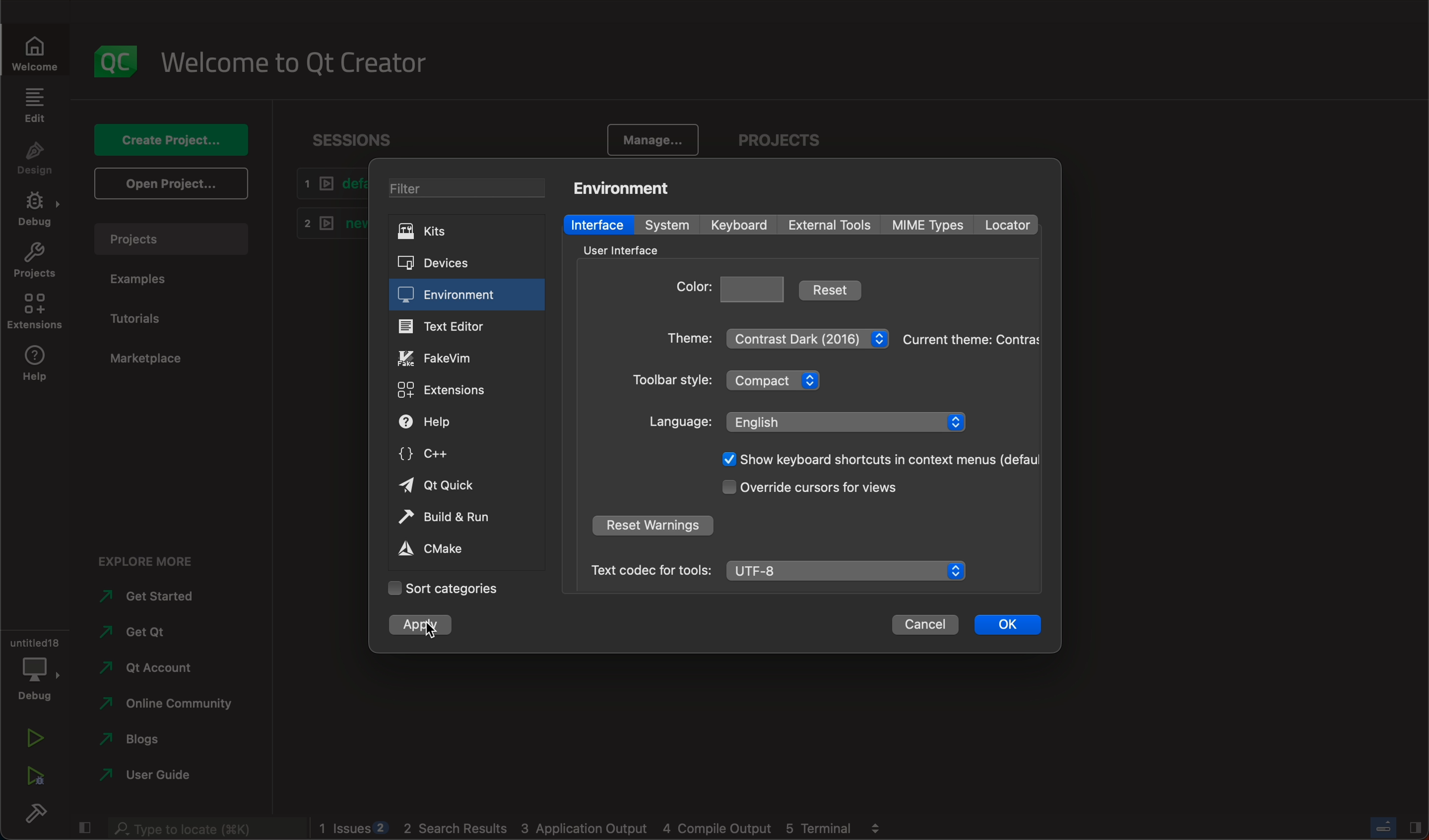  I want to click on devices, so click(462, 264).